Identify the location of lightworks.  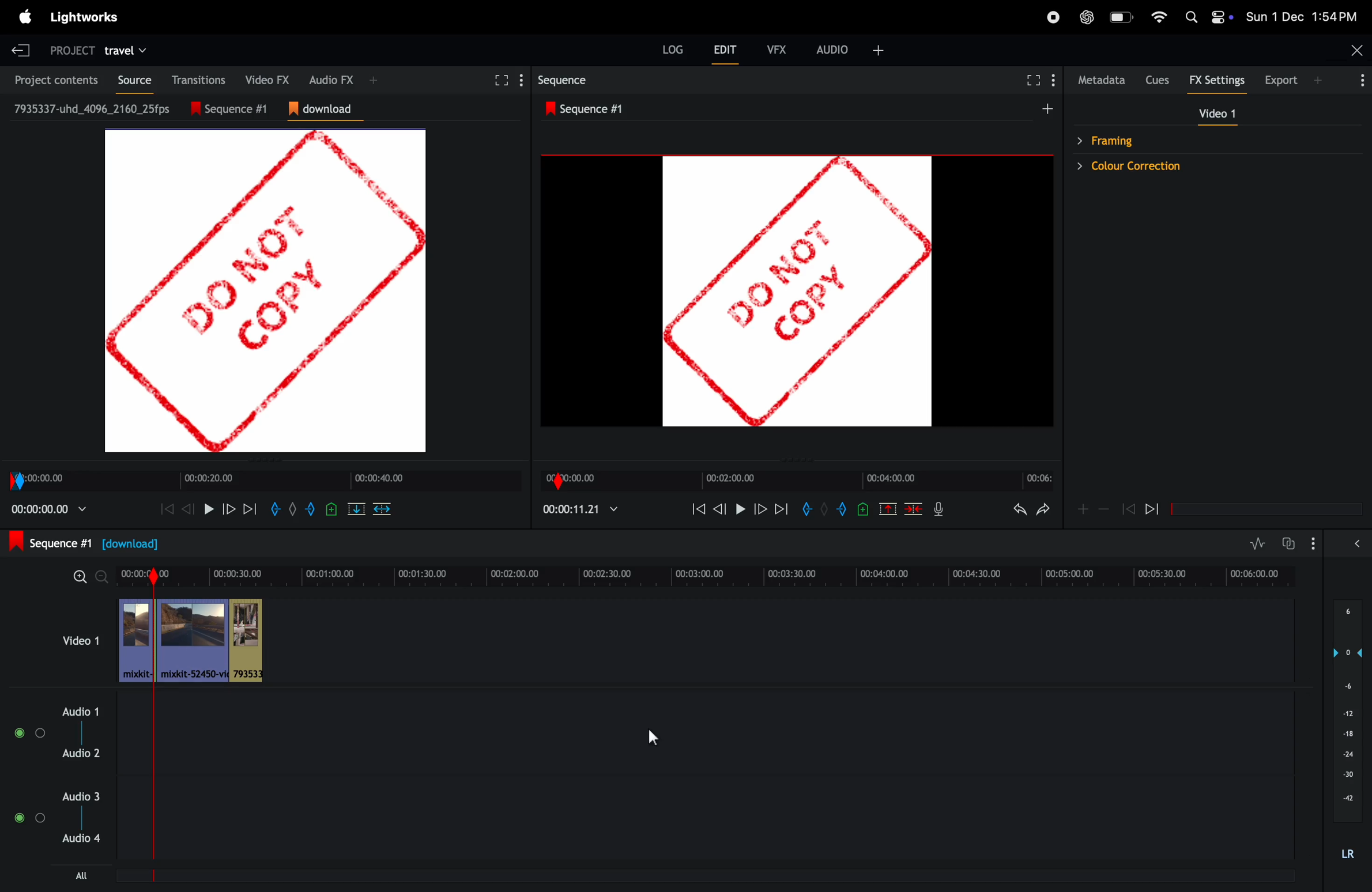
(84, 17).